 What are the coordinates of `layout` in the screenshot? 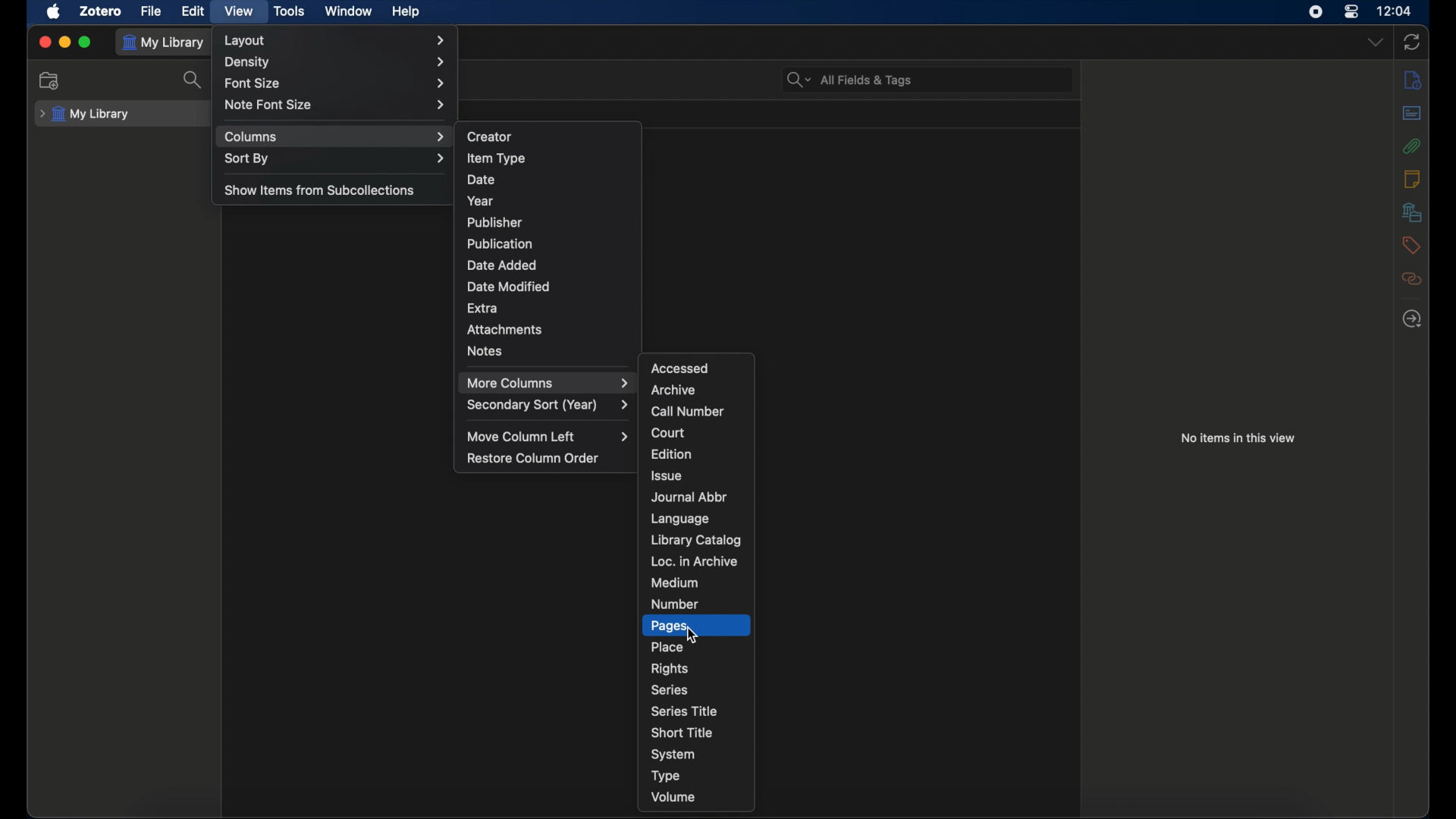 It's located at (337, 39).